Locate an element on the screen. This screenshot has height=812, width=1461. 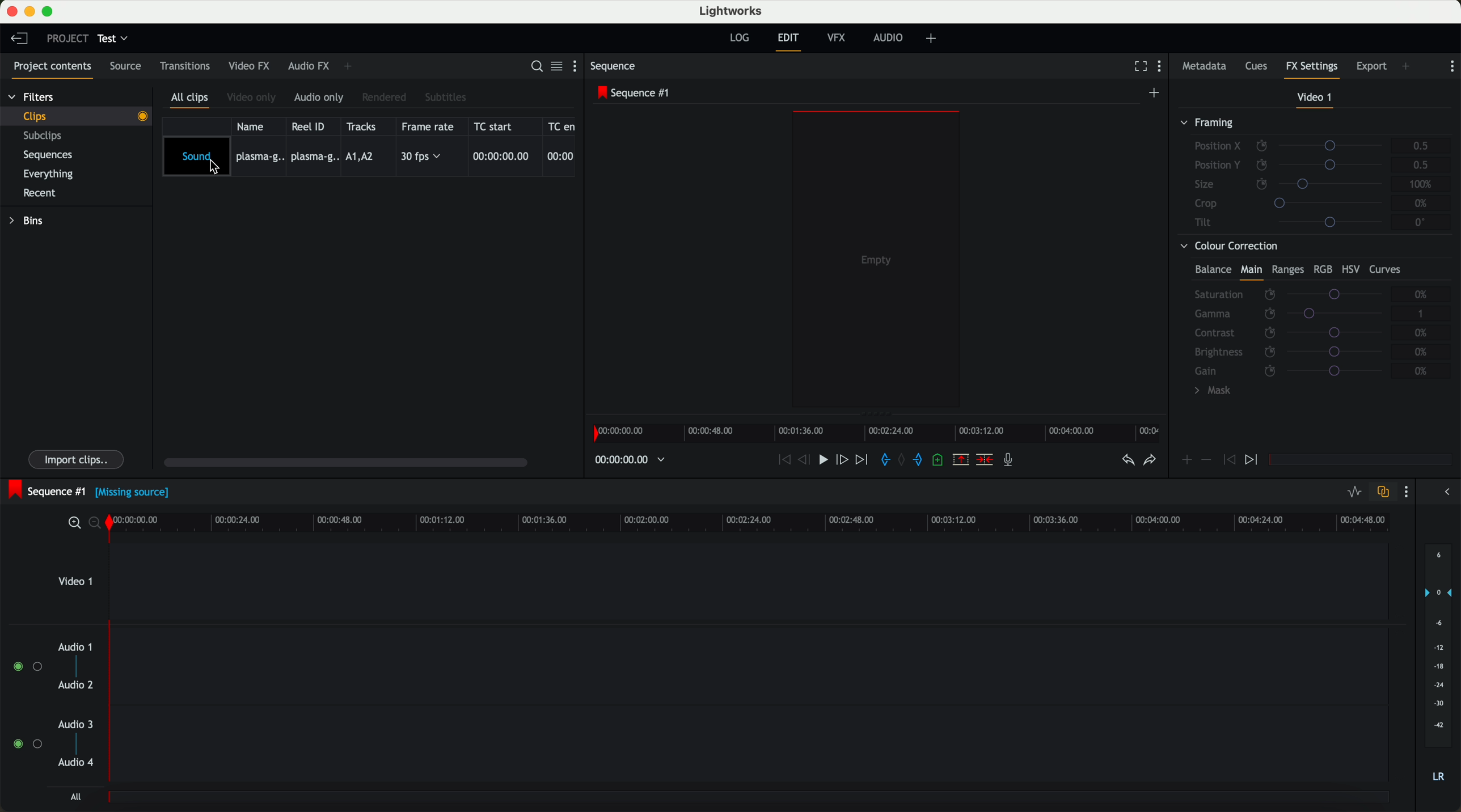
show settings menu is located at coordinates (1452, 66).